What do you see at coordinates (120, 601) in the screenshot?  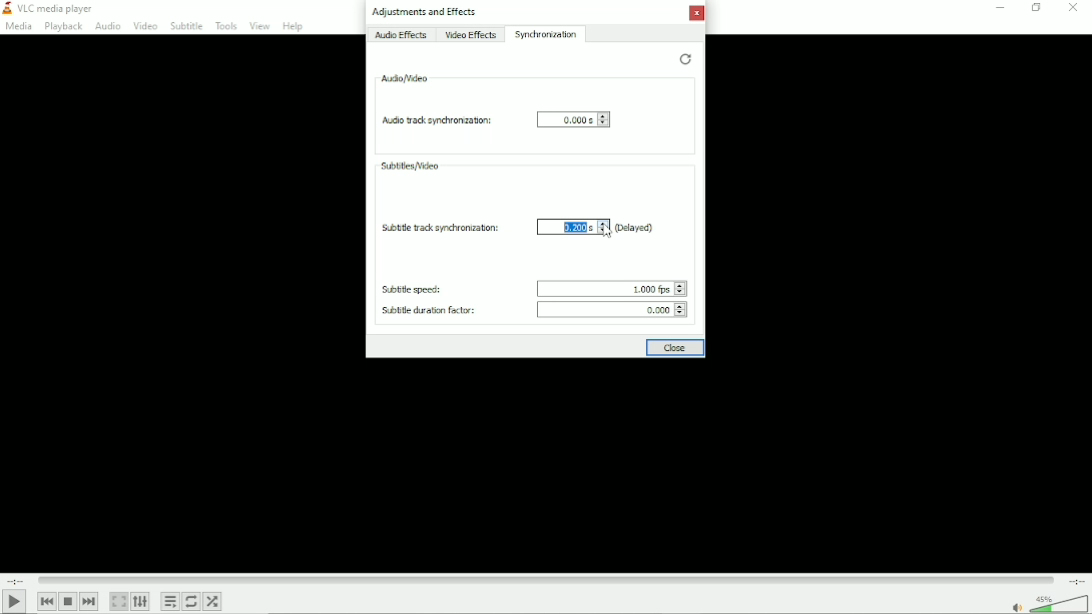 I see `Toggle video in fullscreen` at bounding box center [120, 601].